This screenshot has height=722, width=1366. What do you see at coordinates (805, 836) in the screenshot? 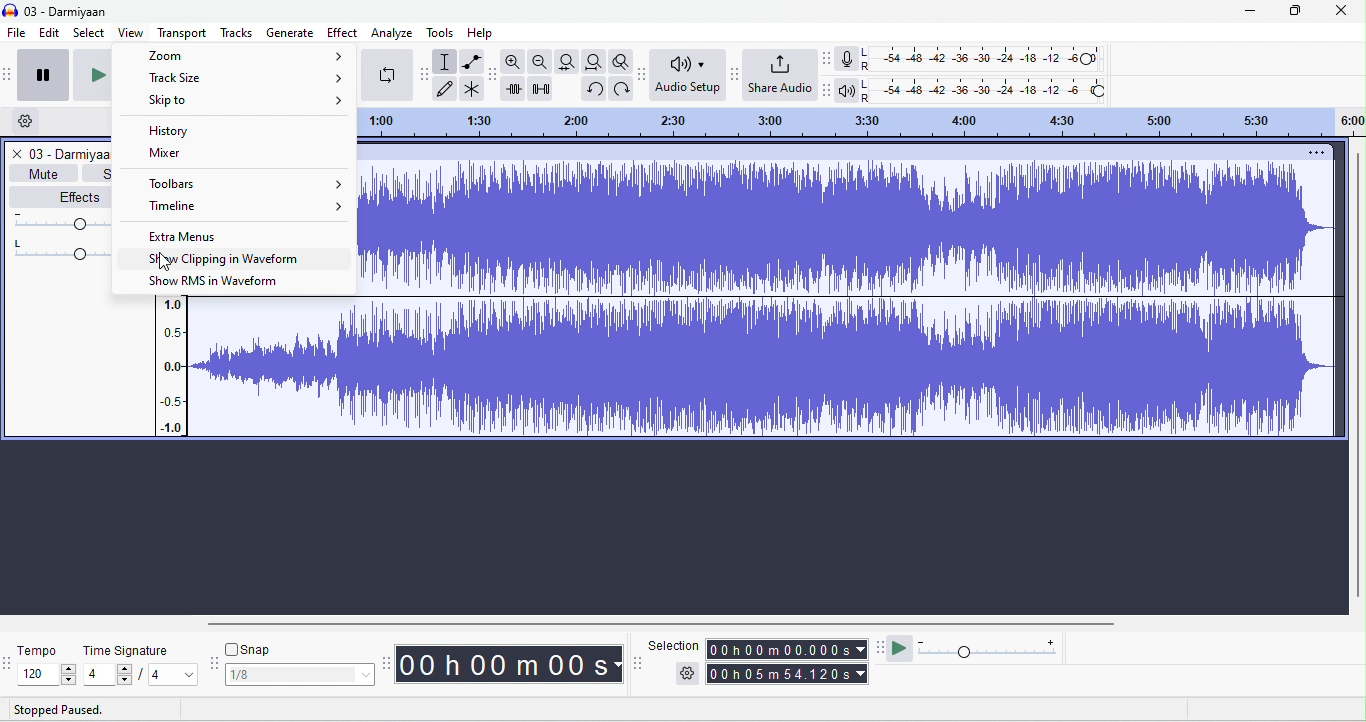
I see `selection toolbar` at bounding box center [805, 836].